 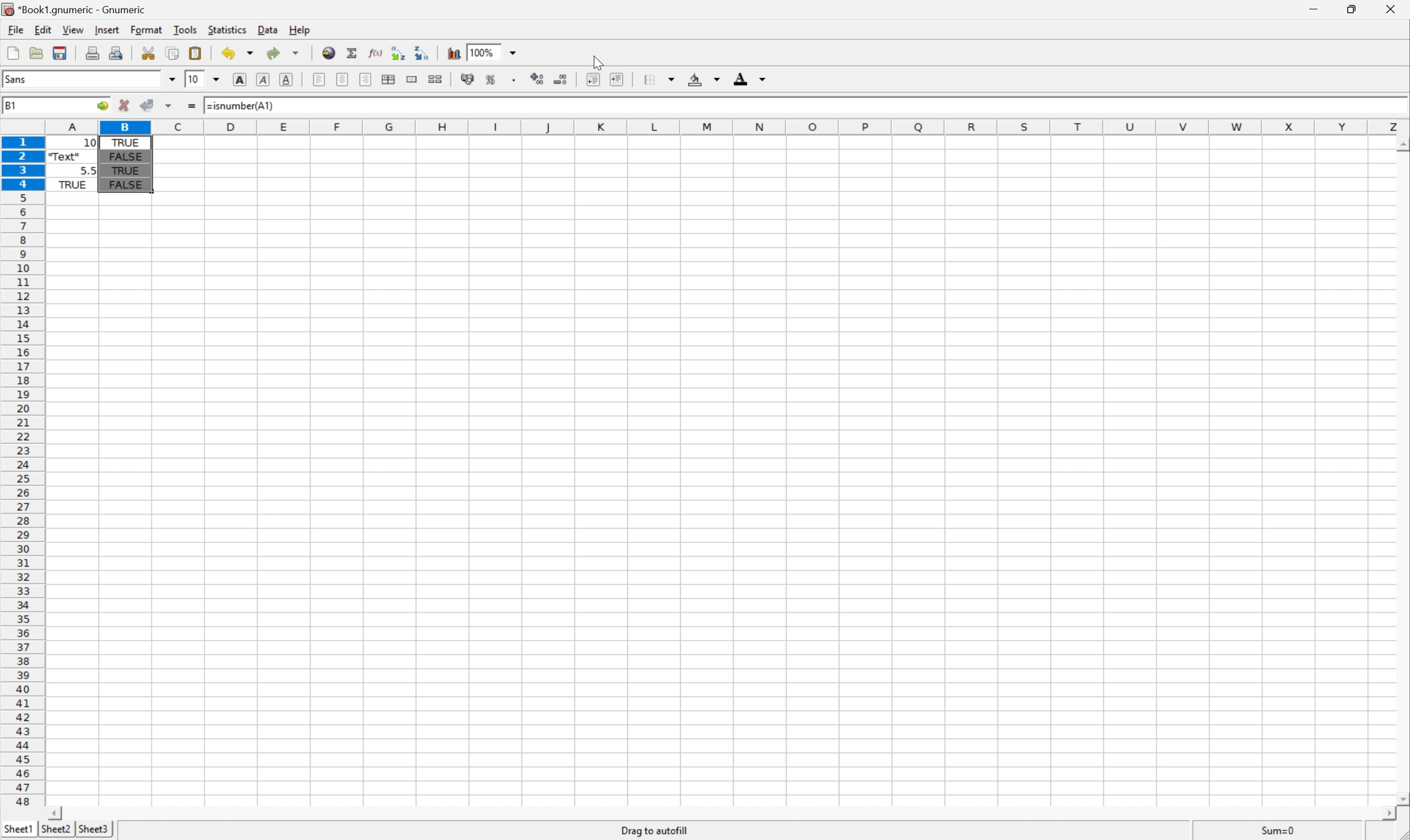 What do you see at coordinates (266, 29) in the screenshot?
I see `Data` at bounding box center [266, 29].